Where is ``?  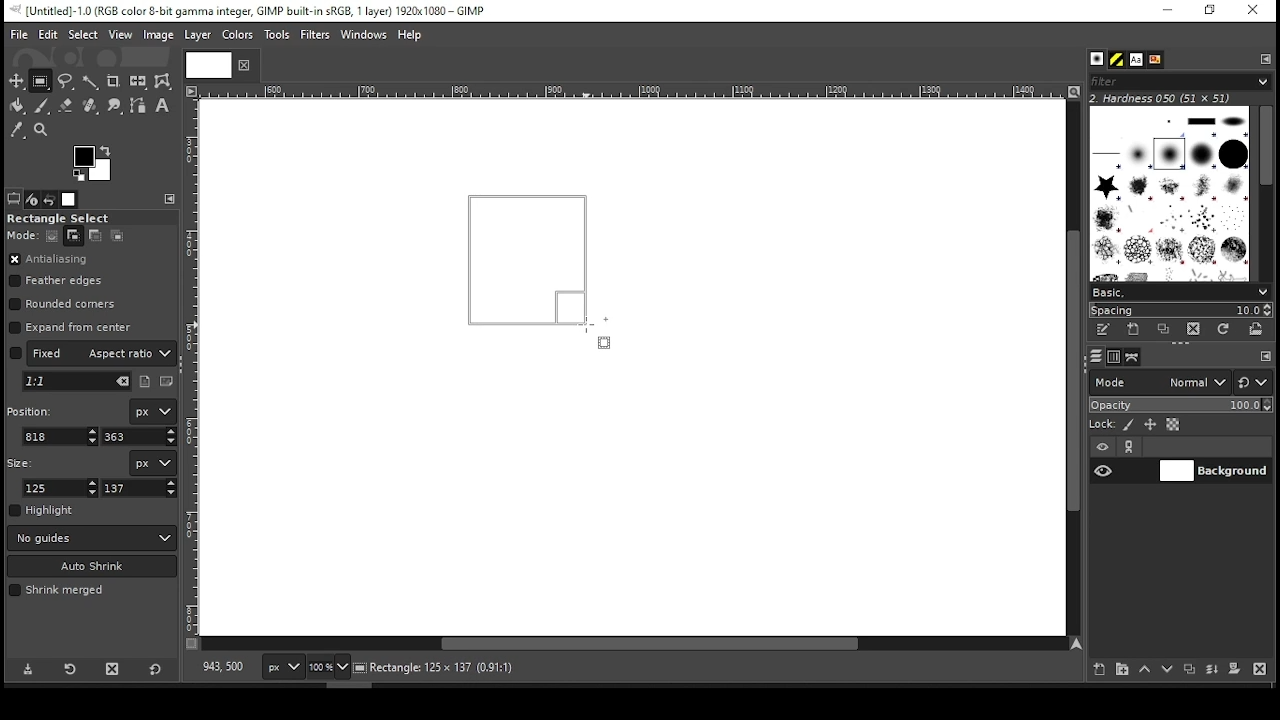
 is located at coordinates (193, 367).